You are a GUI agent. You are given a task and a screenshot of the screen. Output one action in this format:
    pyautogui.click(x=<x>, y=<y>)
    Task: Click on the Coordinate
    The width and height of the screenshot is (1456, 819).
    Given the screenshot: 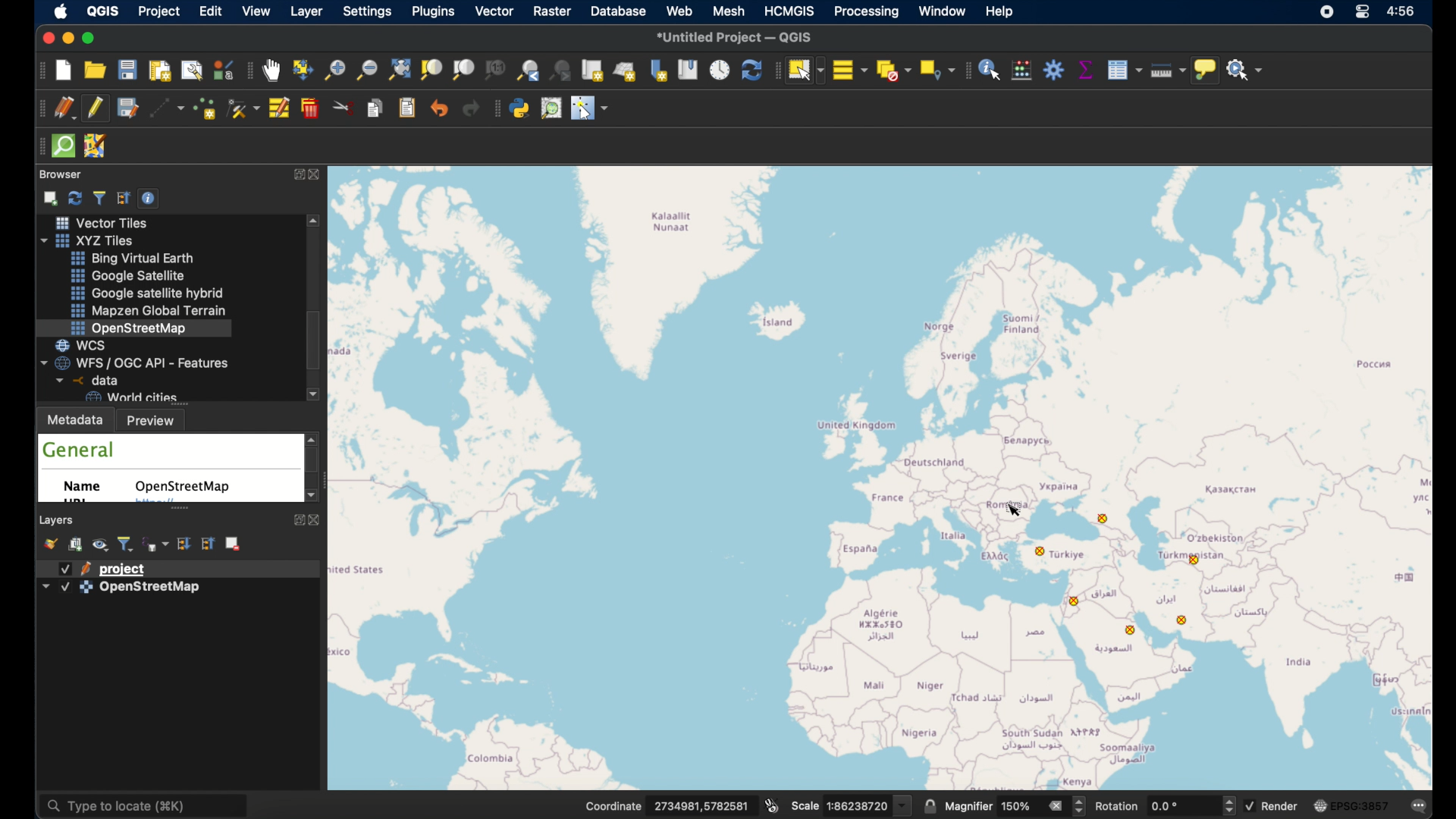 What is the action you would take?
    pyautogui.click(x=604, y=805)
    